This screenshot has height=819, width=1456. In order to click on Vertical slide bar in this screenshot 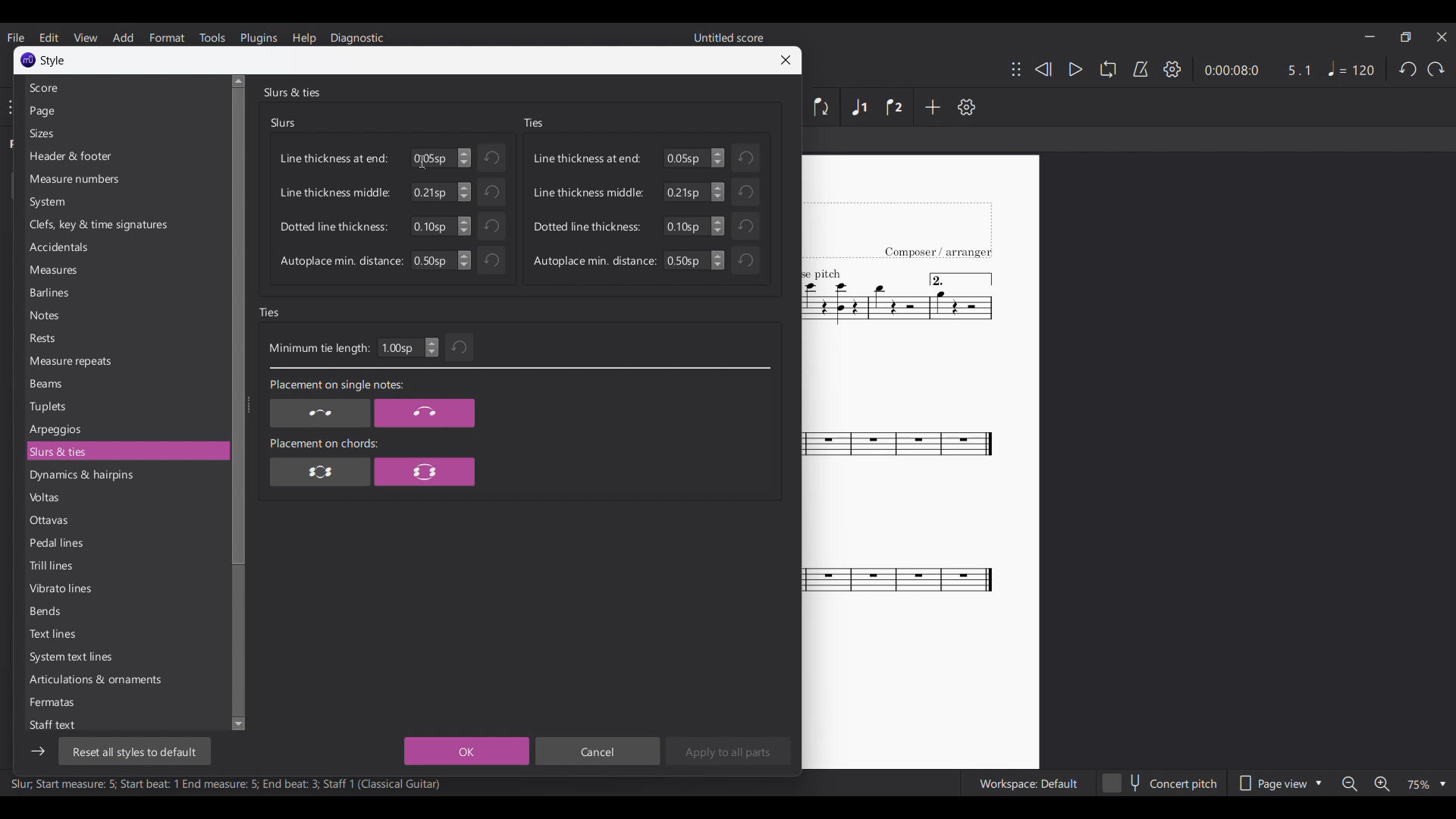, I will do `click(235, 403)`.